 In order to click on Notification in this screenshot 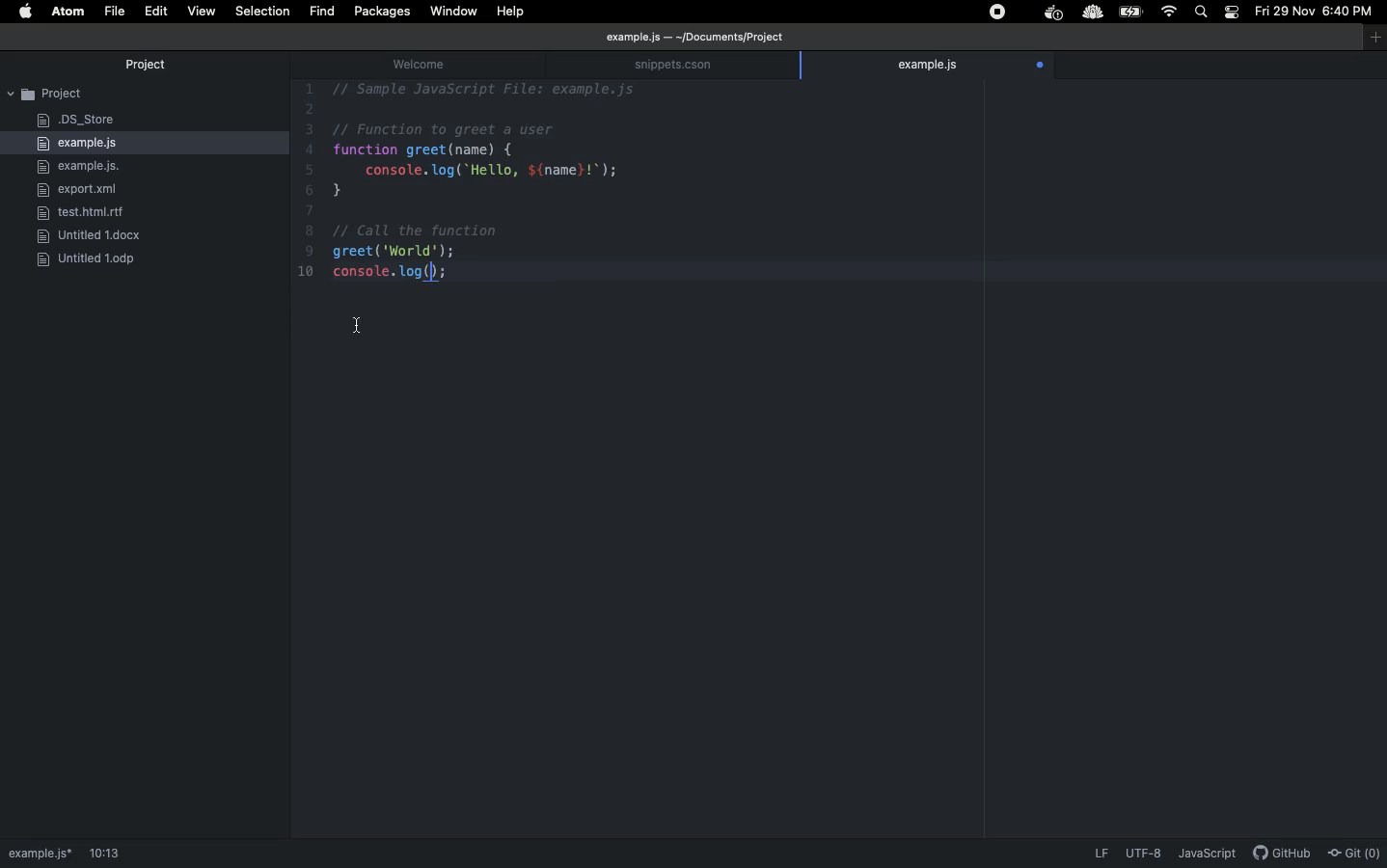, I will do `click(1232, 12)`.